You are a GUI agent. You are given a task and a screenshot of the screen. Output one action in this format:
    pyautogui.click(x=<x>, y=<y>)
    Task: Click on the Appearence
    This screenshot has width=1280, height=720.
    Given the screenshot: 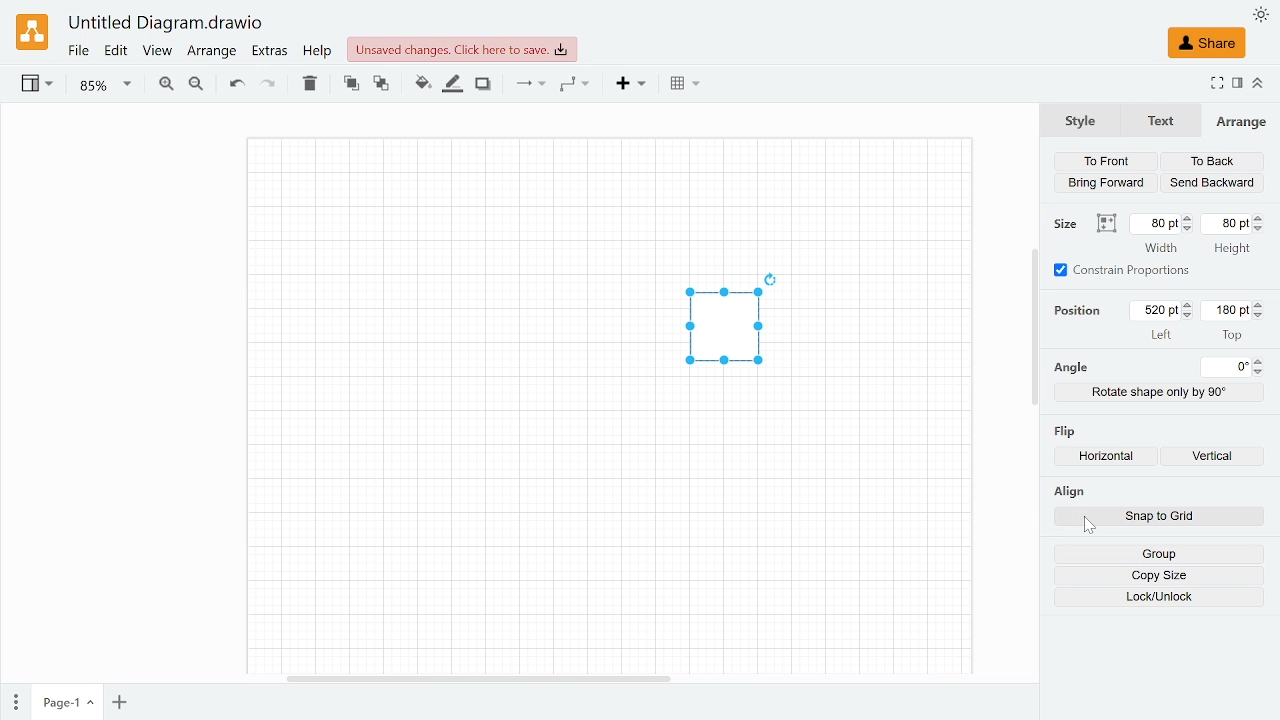 What is the action you would take?
    pyautogui.click(x=1261, y=15)
    